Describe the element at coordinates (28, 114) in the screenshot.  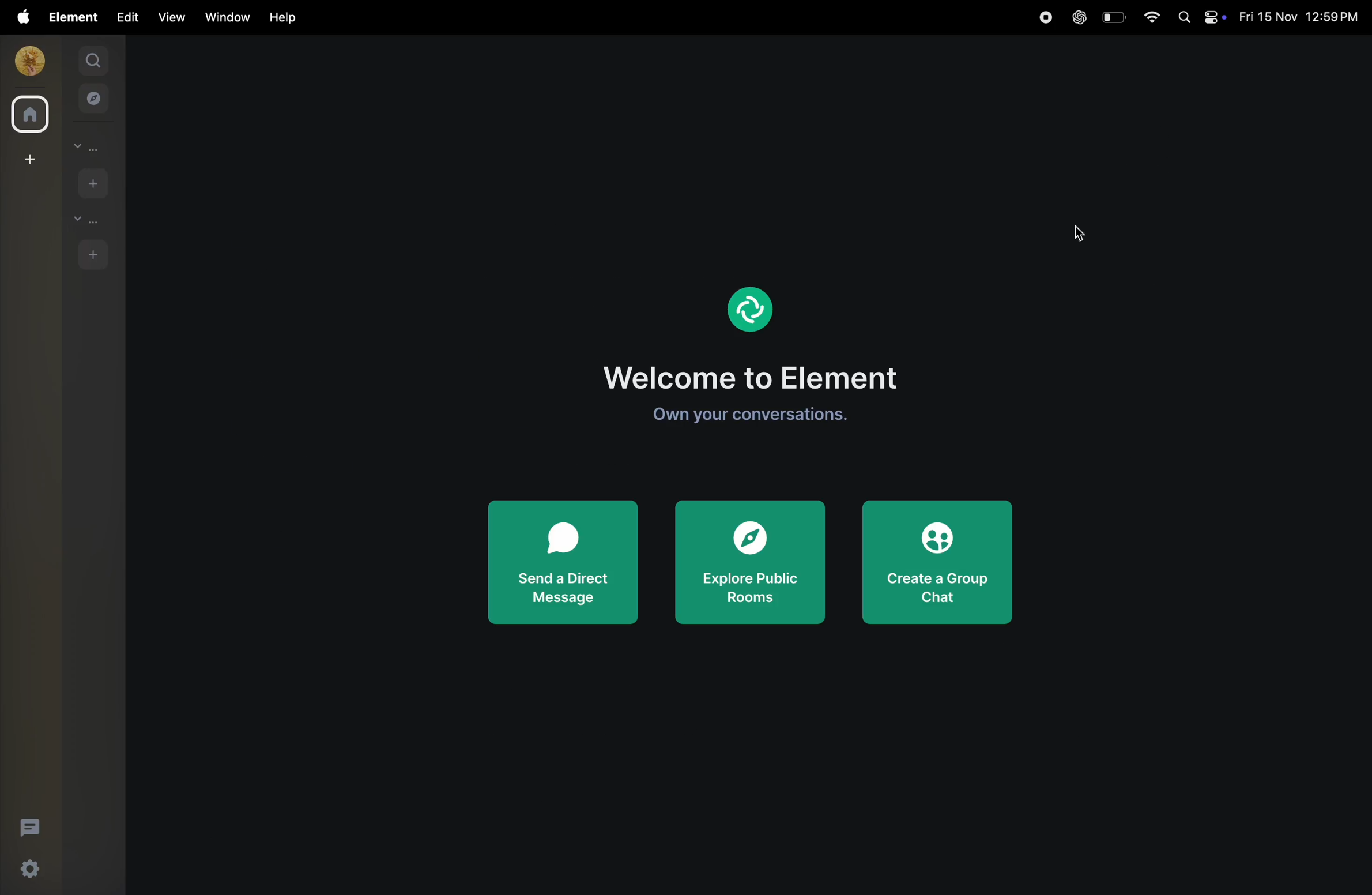
I see `home` at that location.